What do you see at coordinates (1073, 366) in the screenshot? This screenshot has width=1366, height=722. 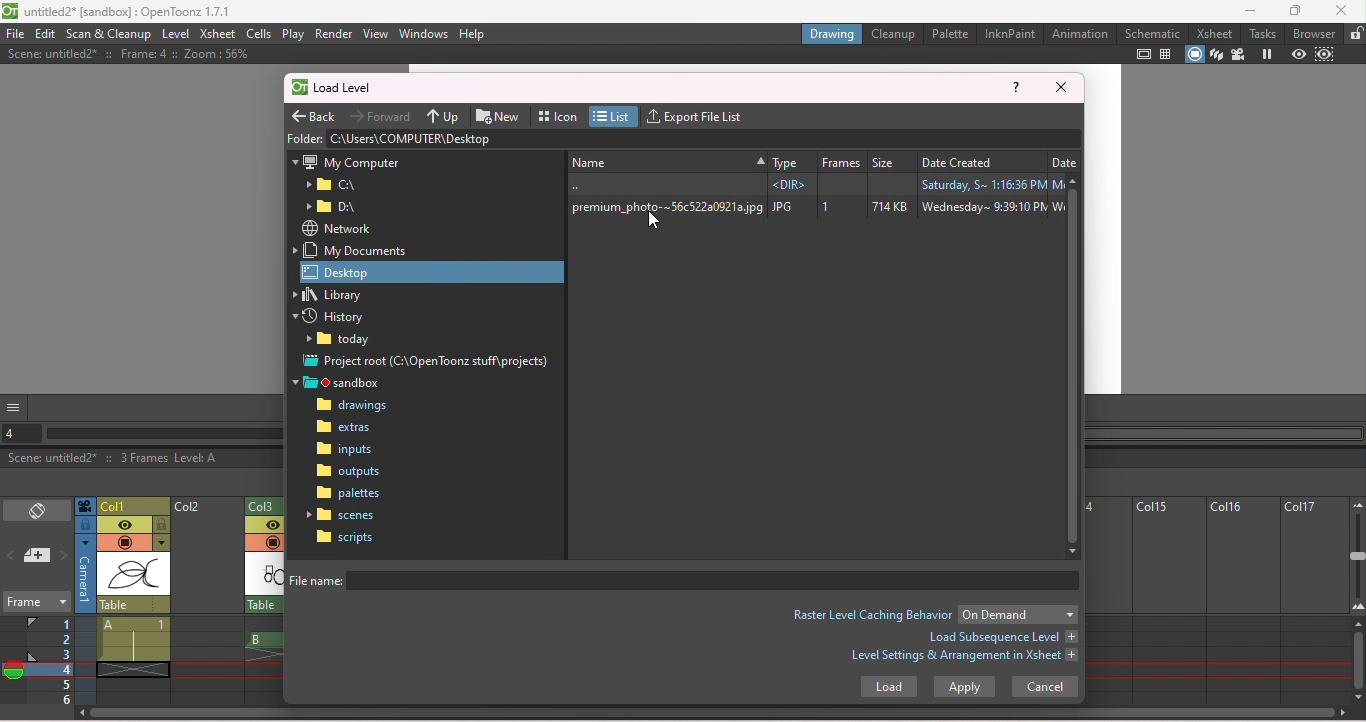 I see `Vertical scroll bar` at bounding box center [1073, 366].